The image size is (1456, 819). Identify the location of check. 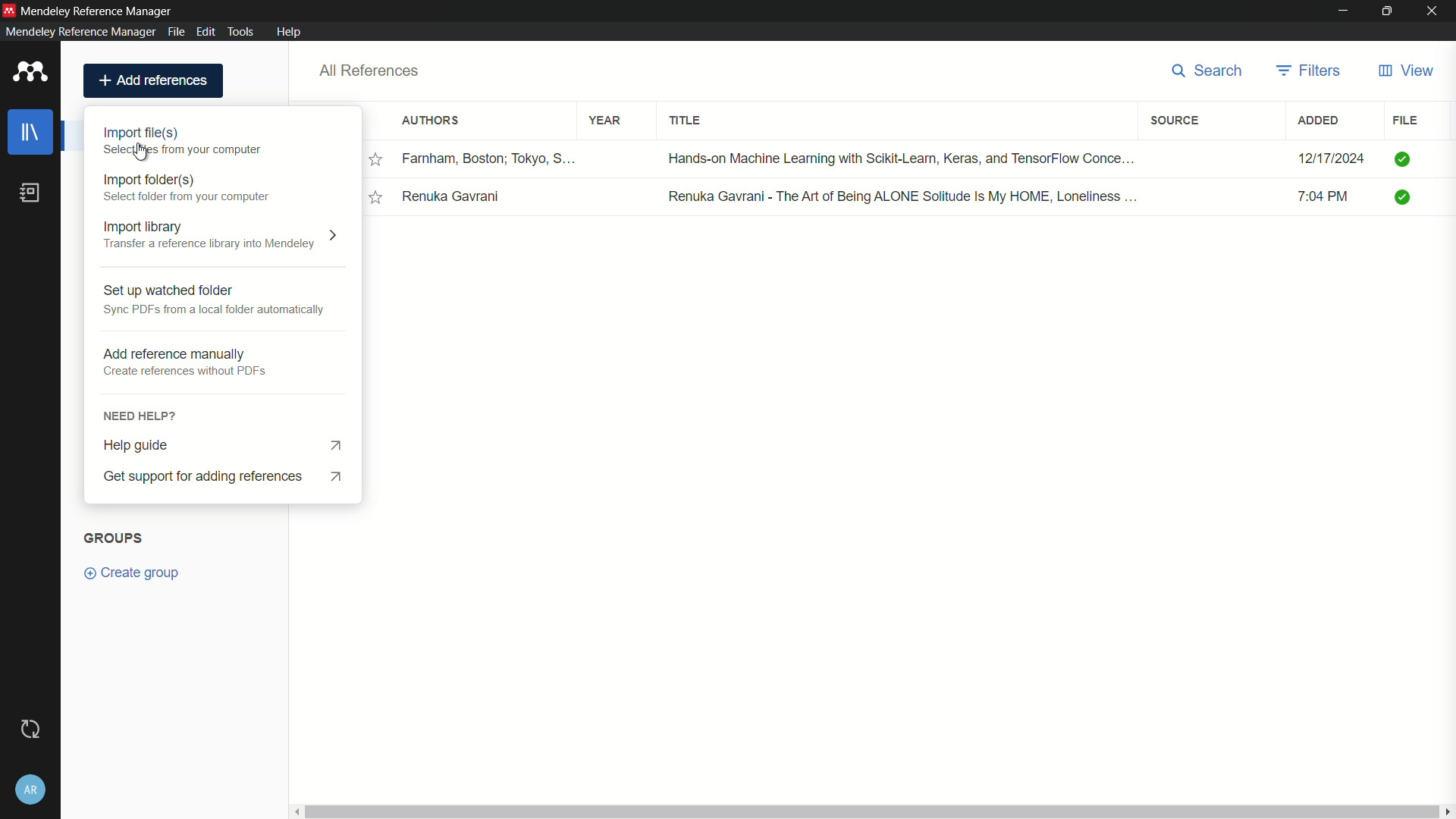
(1407, 199).